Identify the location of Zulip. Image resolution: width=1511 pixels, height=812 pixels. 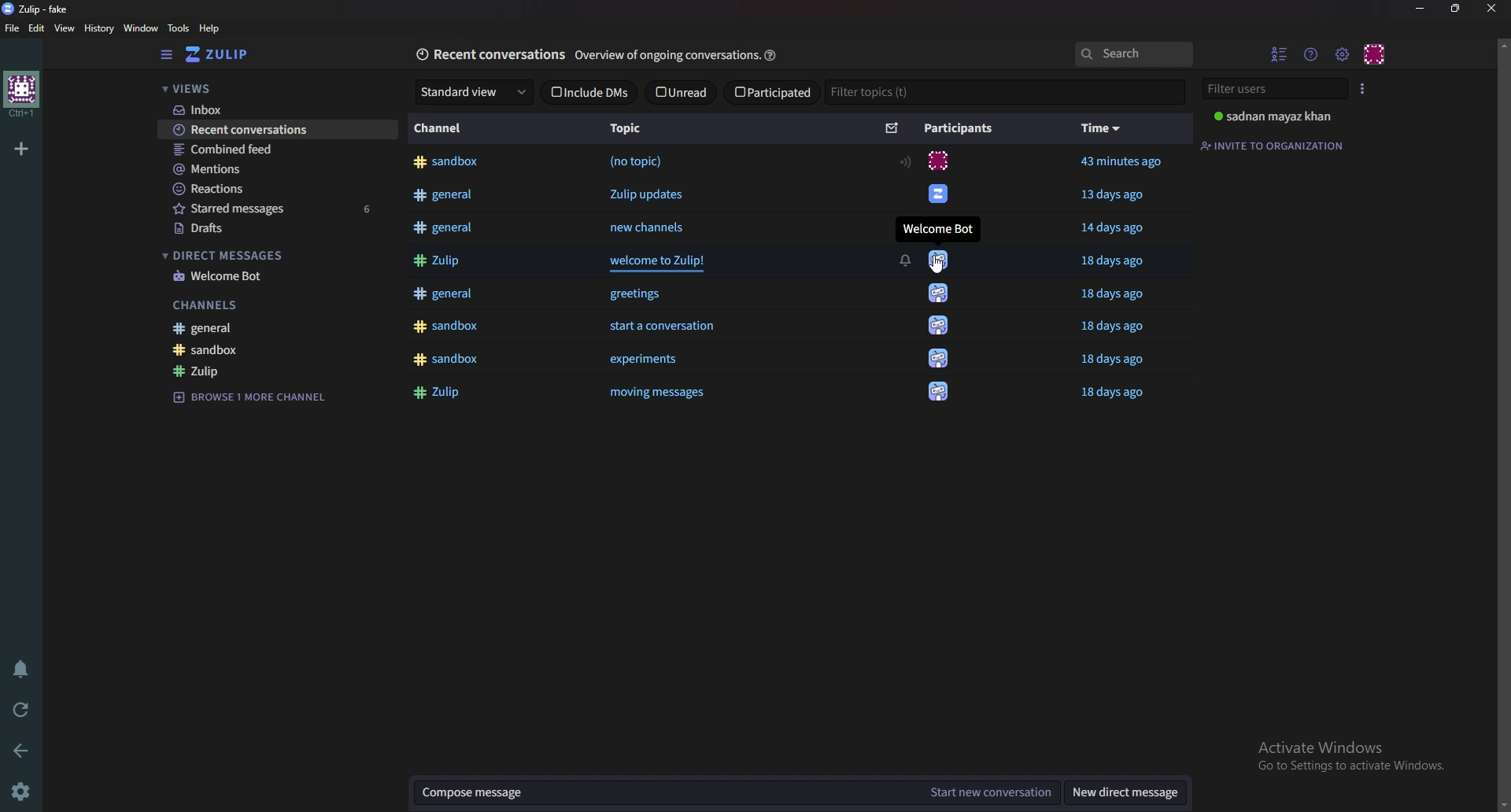
(278, 371).